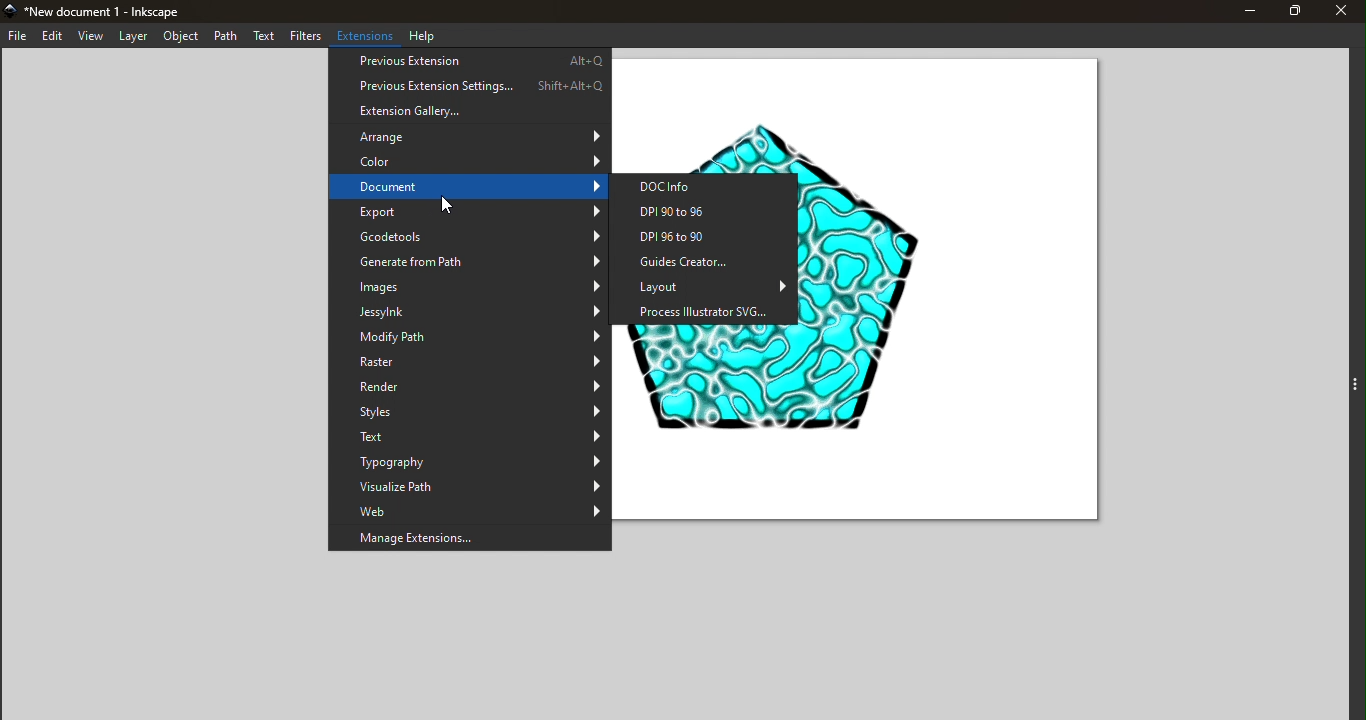 The image size is (1366, 720). What do you see at coordinates (470, 112) in the screenshot?
I see `Extension Gallery...` at bounding box center [470, 112].